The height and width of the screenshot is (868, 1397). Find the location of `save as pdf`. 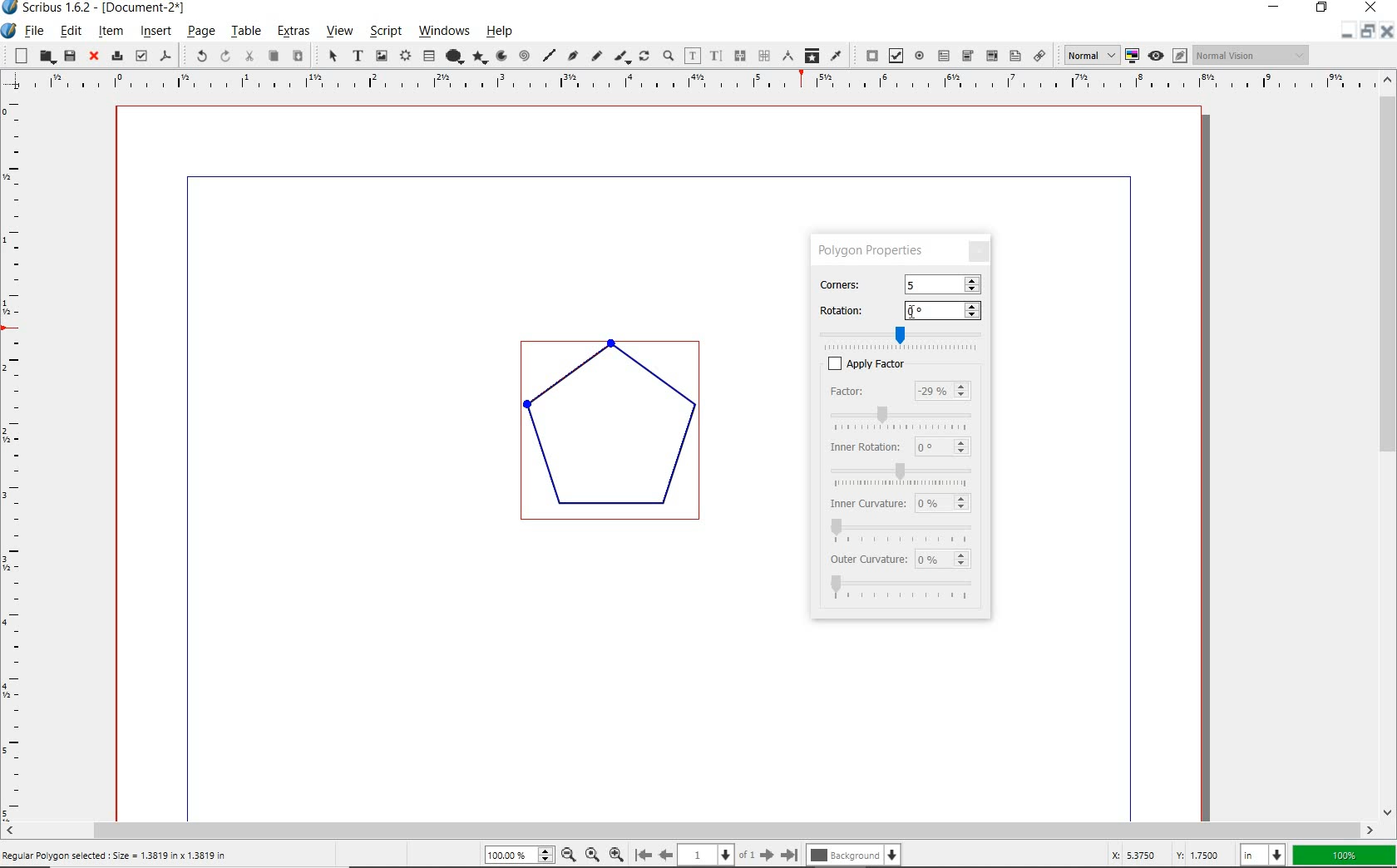

save as pdf is located at coordinates (166, 55).